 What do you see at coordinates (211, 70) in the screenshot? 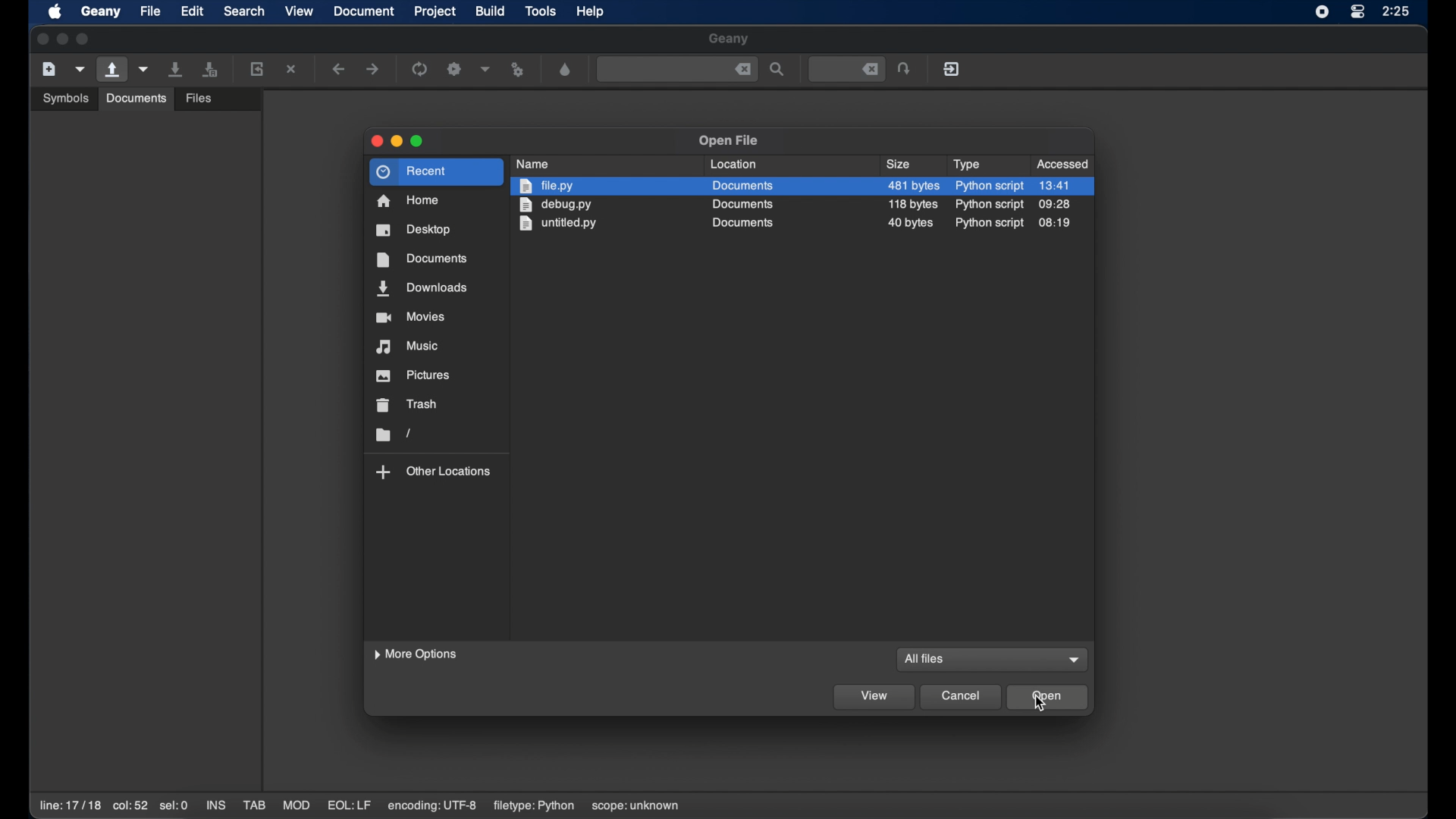
I see `save all files` at bounding box center [211, 70].